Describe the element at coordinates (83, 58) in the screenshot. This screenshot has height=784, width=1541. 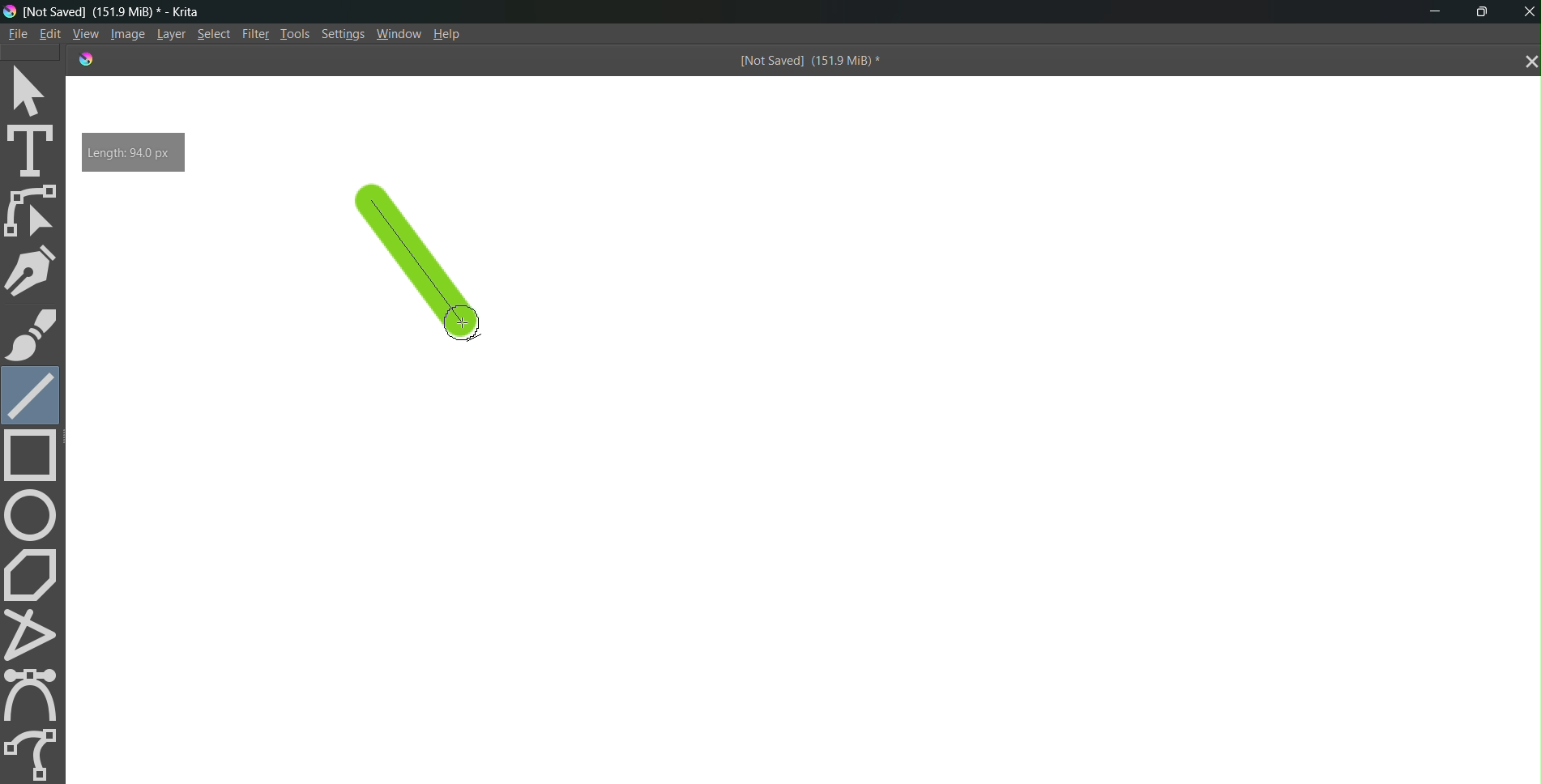
I see `logo` at that location.